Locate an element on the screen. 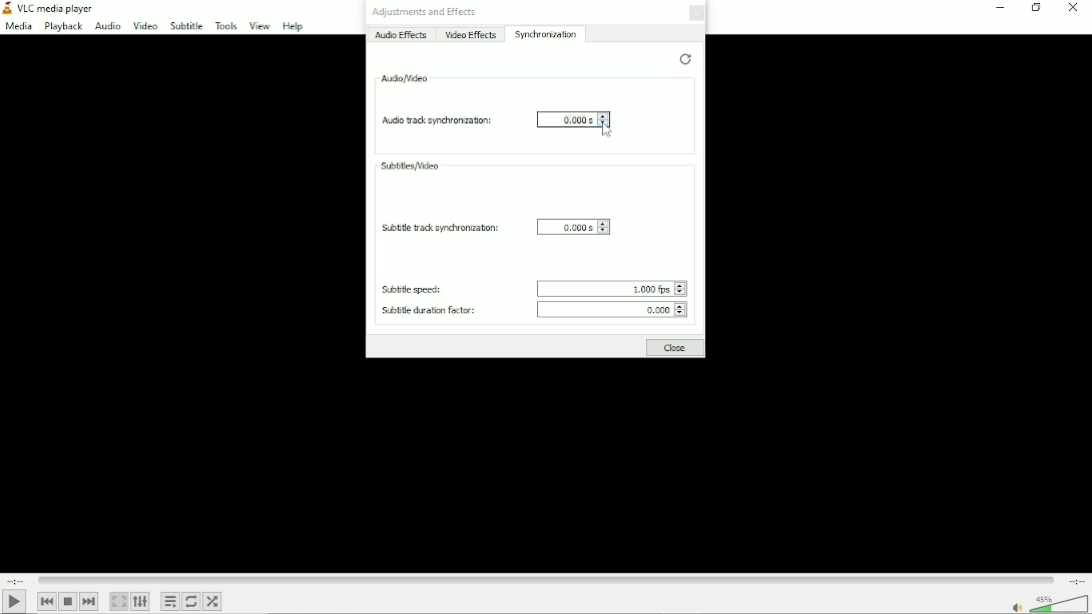 This screenshot has width=1092, height=614. Video is located at coordinates (144, 26).